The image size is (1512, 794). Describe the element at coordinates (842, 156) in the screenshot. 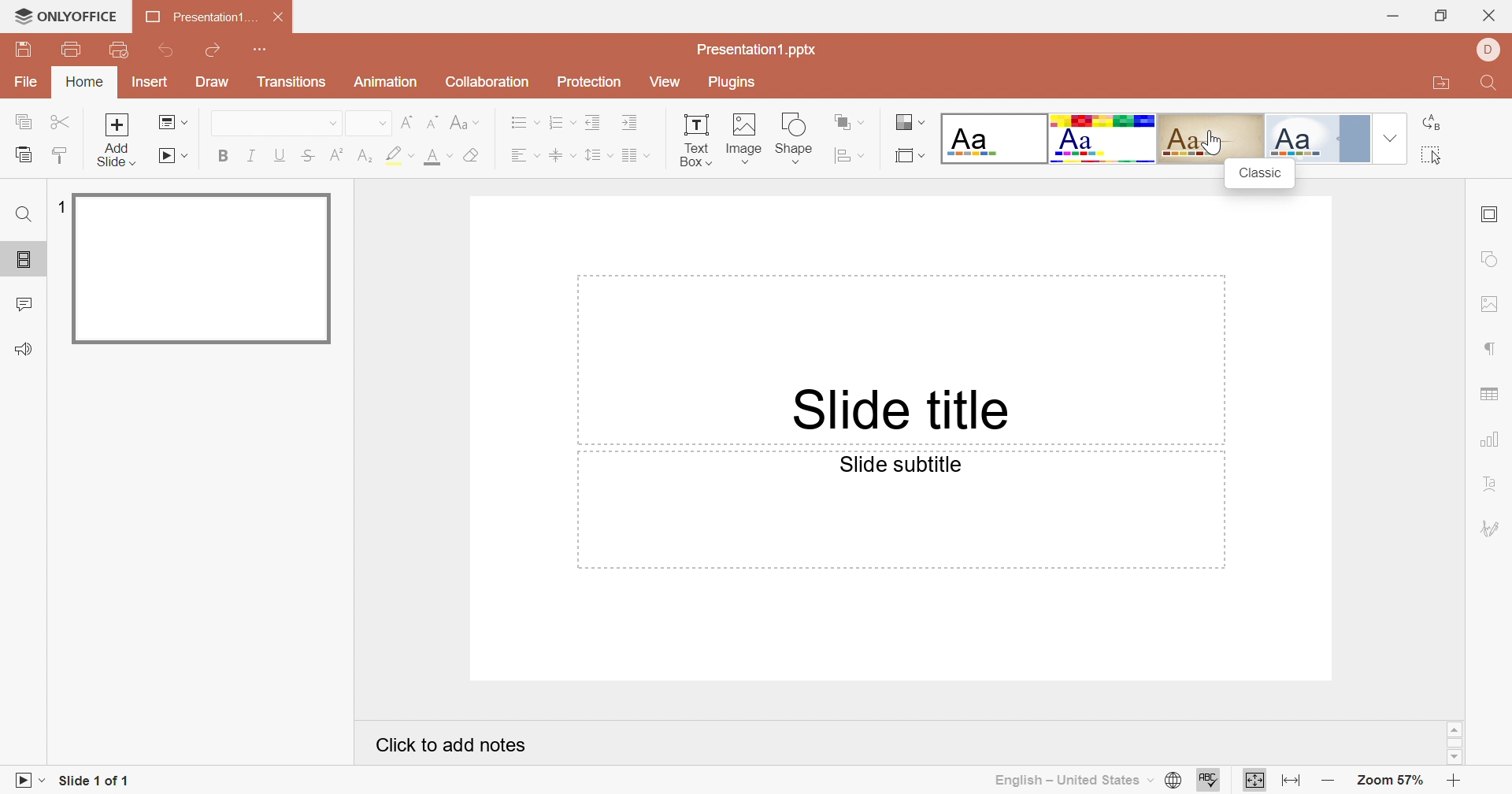

I see `Align shape` at that location.